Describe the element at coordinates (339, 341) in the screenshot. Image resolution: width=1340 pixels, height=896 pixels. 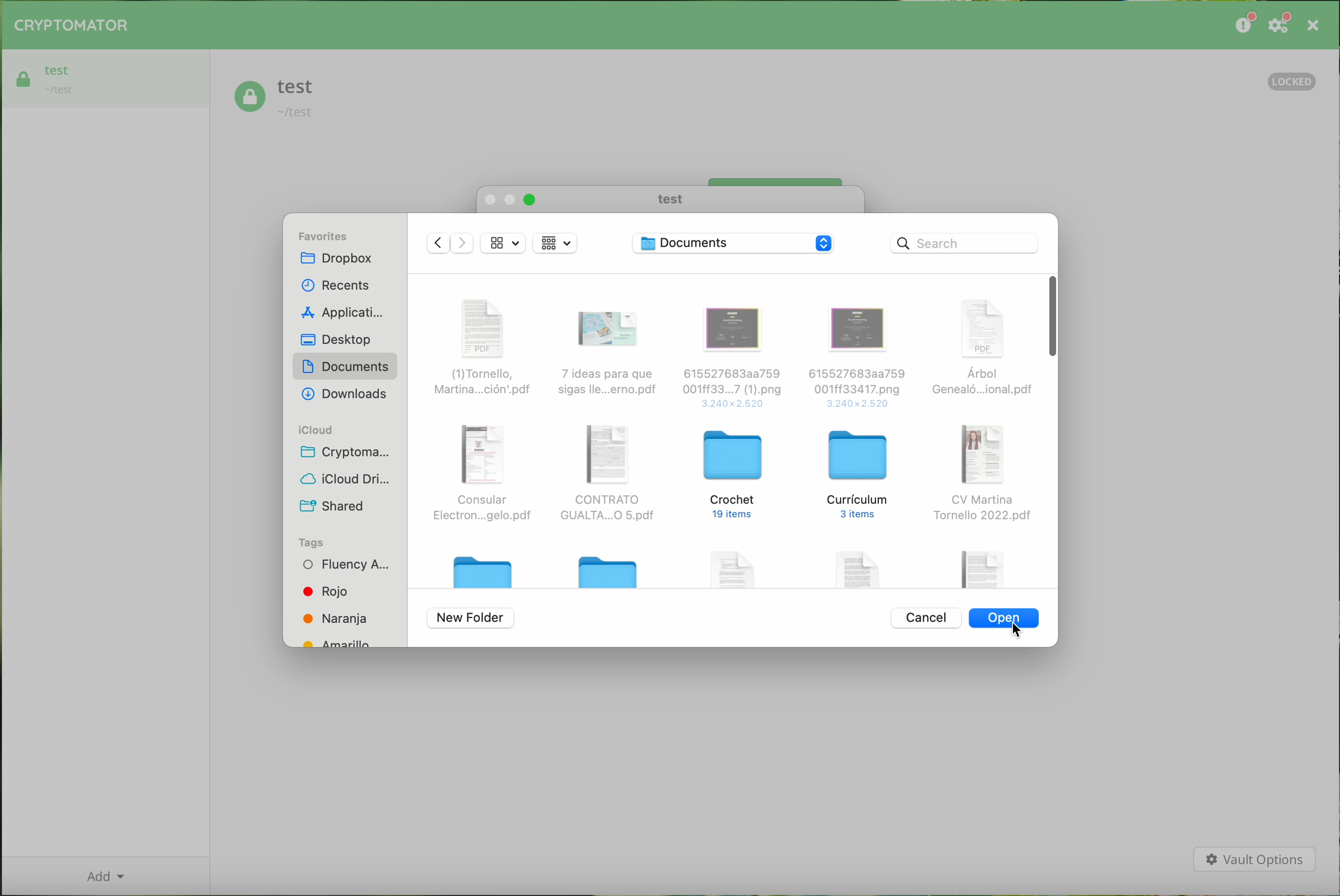
I see `desktop` at that location.